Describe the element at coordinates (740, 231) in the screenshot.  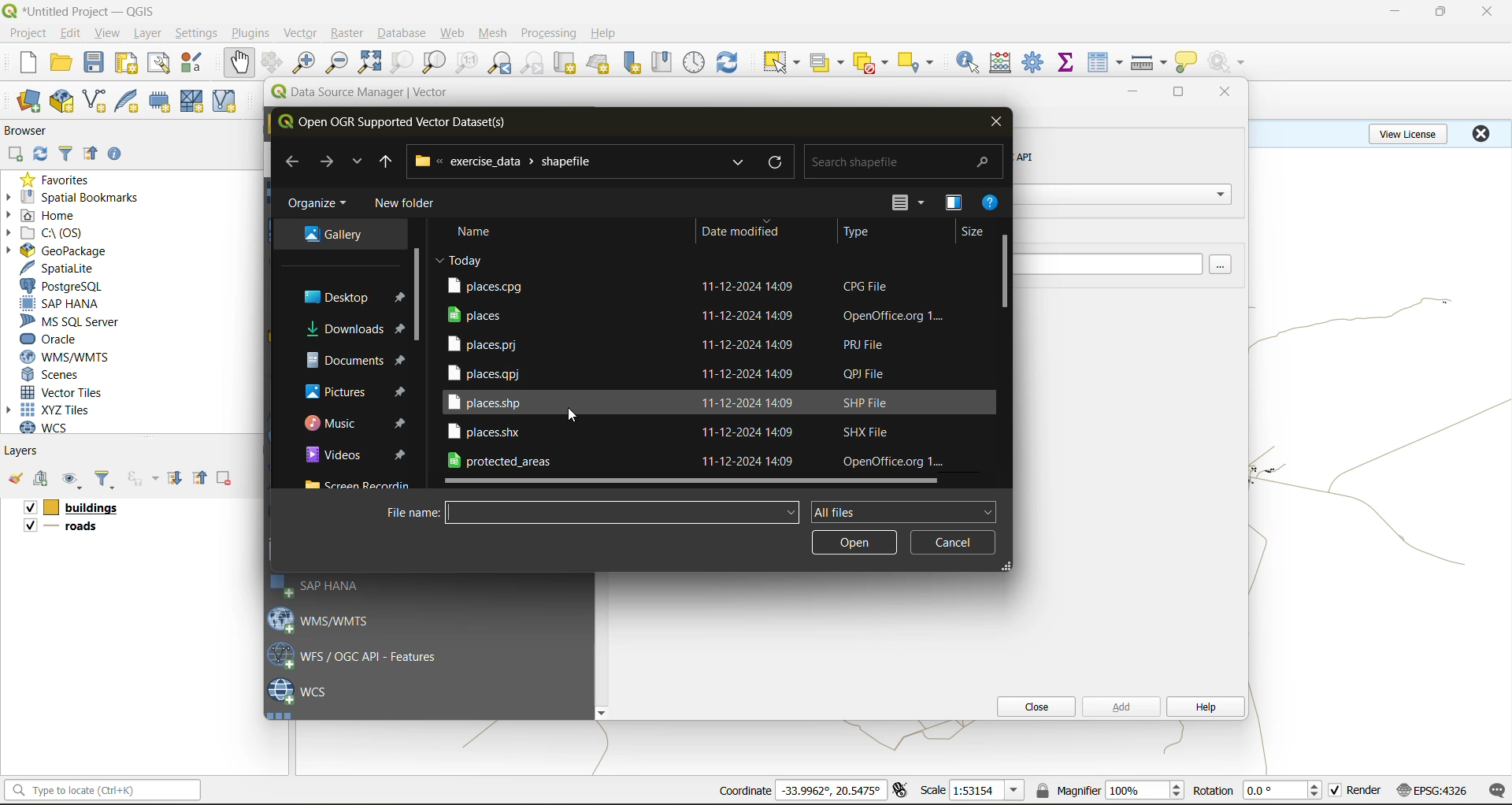
I see `date modified` at that location.